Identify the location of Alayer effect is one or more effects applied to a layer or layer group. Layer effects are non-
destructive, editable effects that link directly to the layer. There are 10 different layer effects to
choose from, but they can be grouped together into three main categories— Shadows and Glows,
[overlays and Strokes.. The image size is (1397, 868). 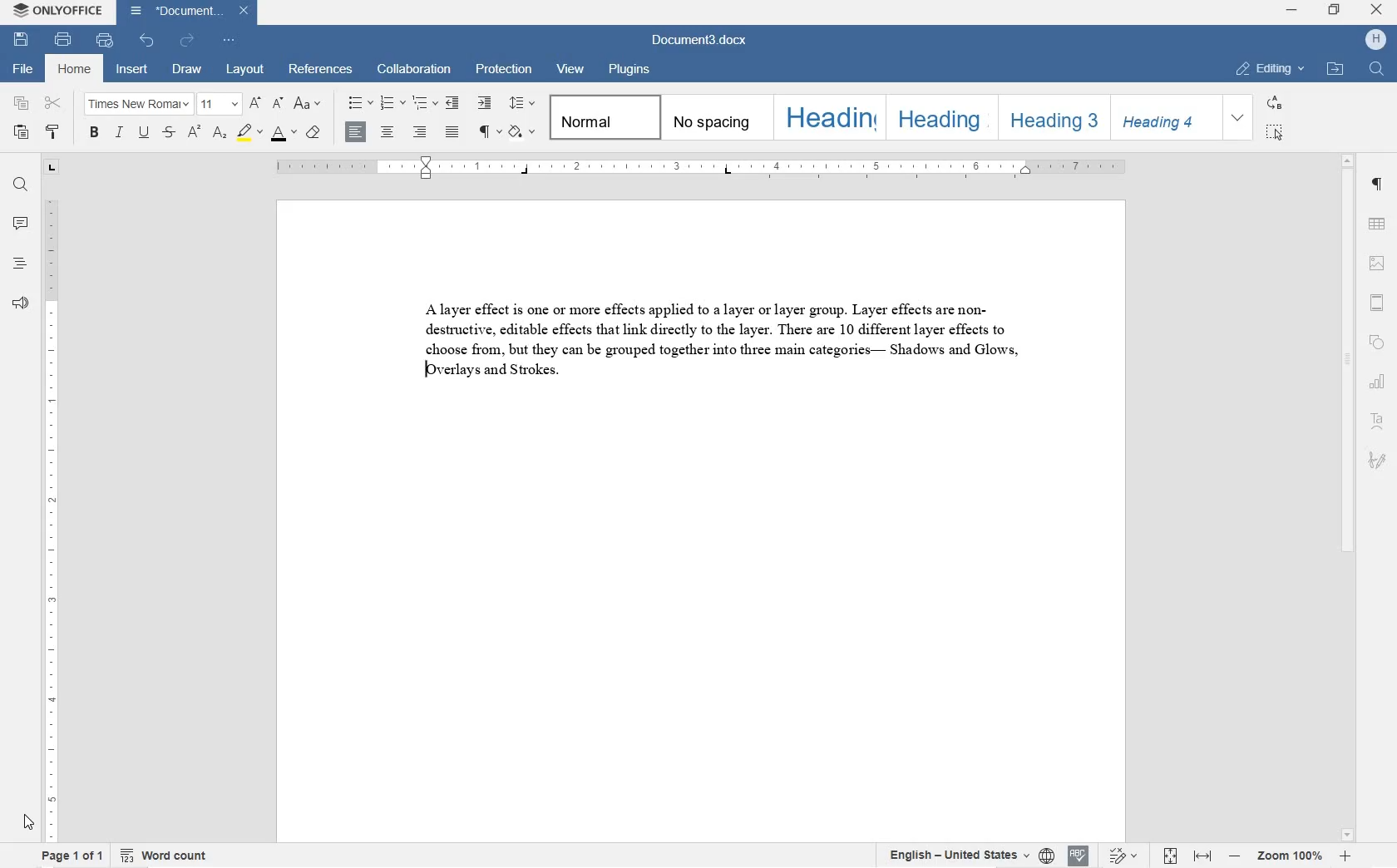
(722, 343).